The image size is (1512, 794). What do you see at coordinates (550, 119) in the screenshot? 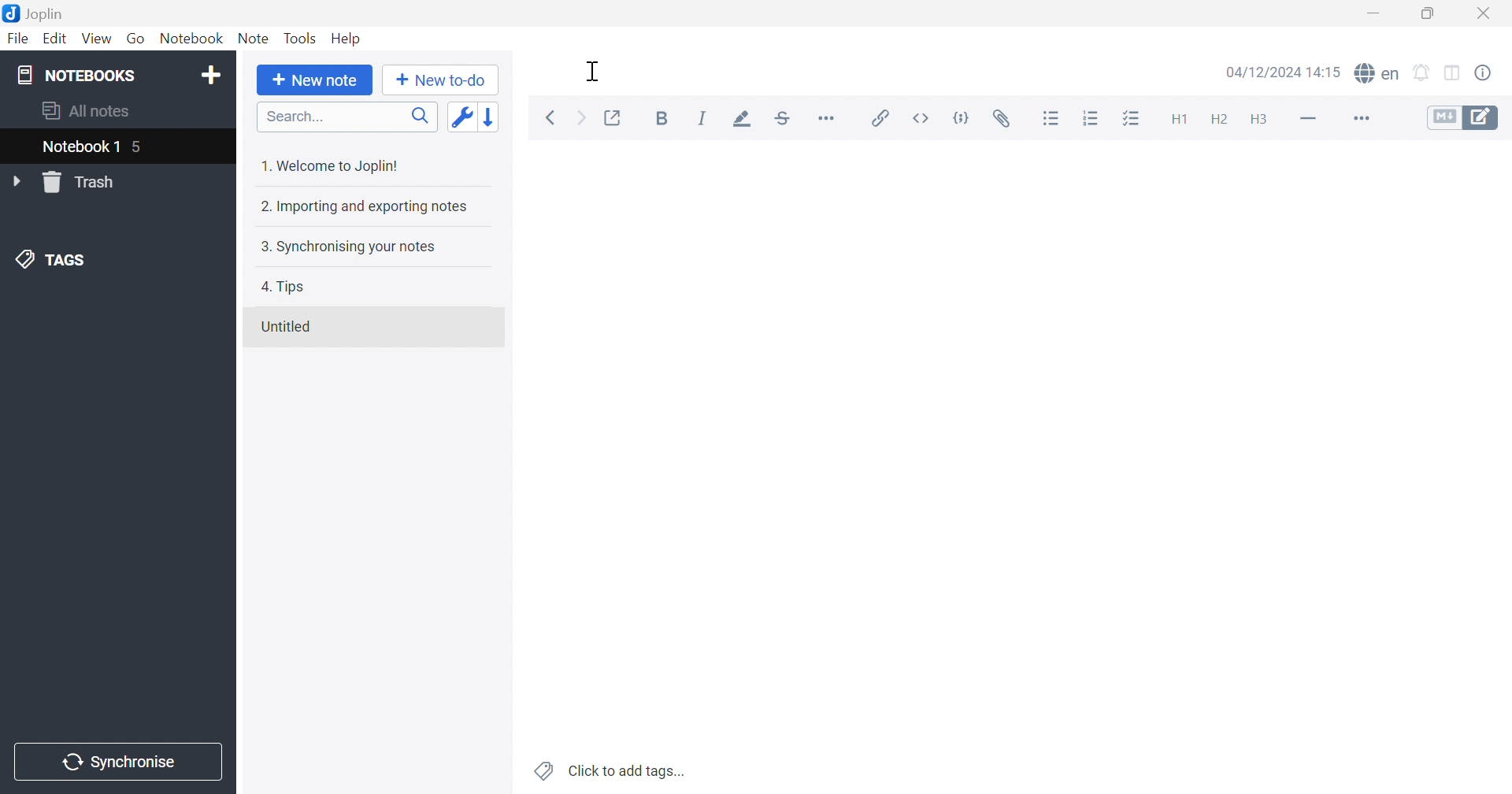
I see `Back` at bounding box center [550, 119].